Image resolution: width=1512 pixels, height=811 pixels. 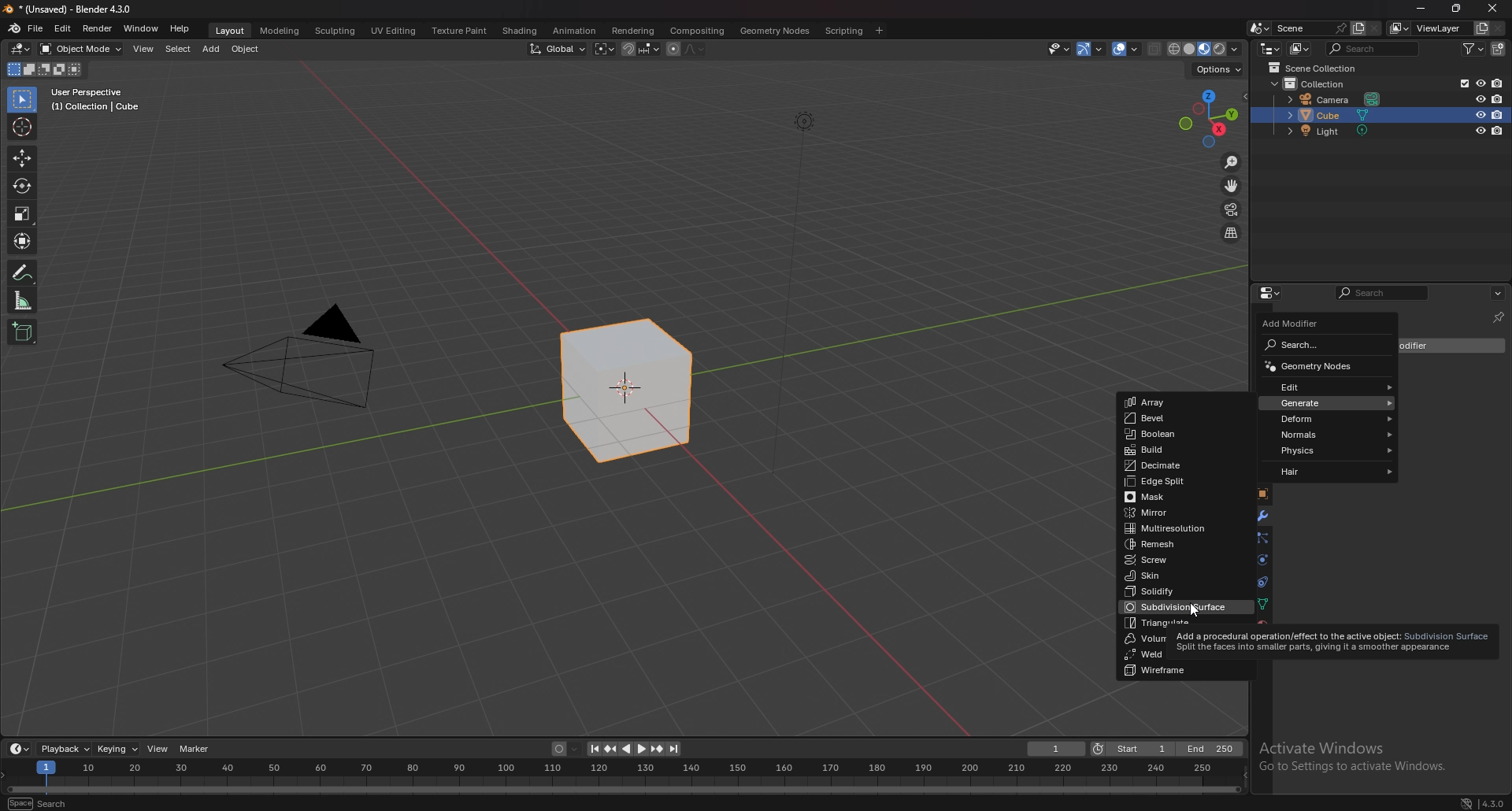 What do you see at coordinates (1357, 28) in the screenshot?
I see `add scene` at bounding box center [1357, 28].